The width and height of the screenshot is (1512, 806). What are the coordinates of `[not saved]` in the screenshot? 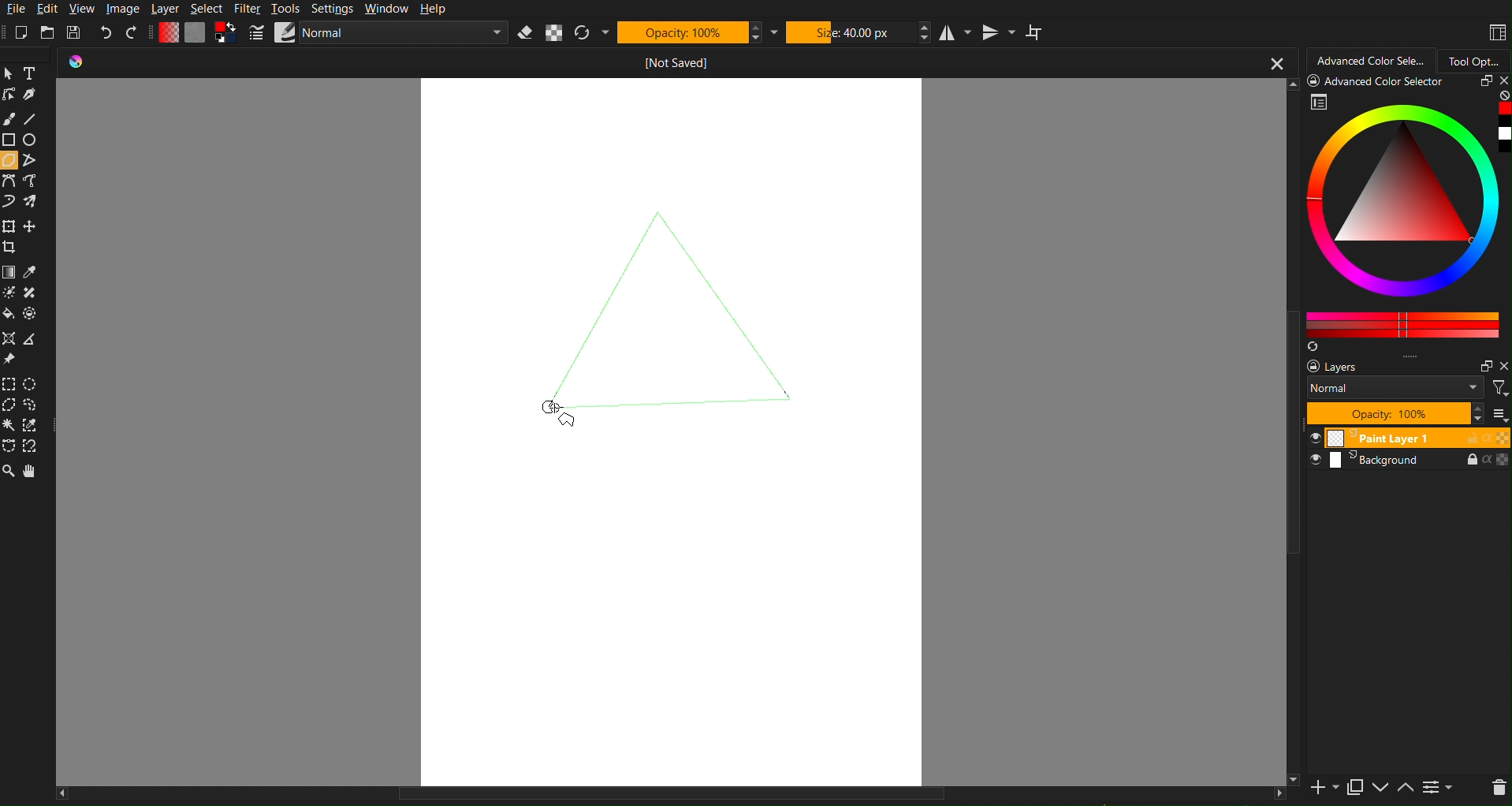 It's located at (689, 62).